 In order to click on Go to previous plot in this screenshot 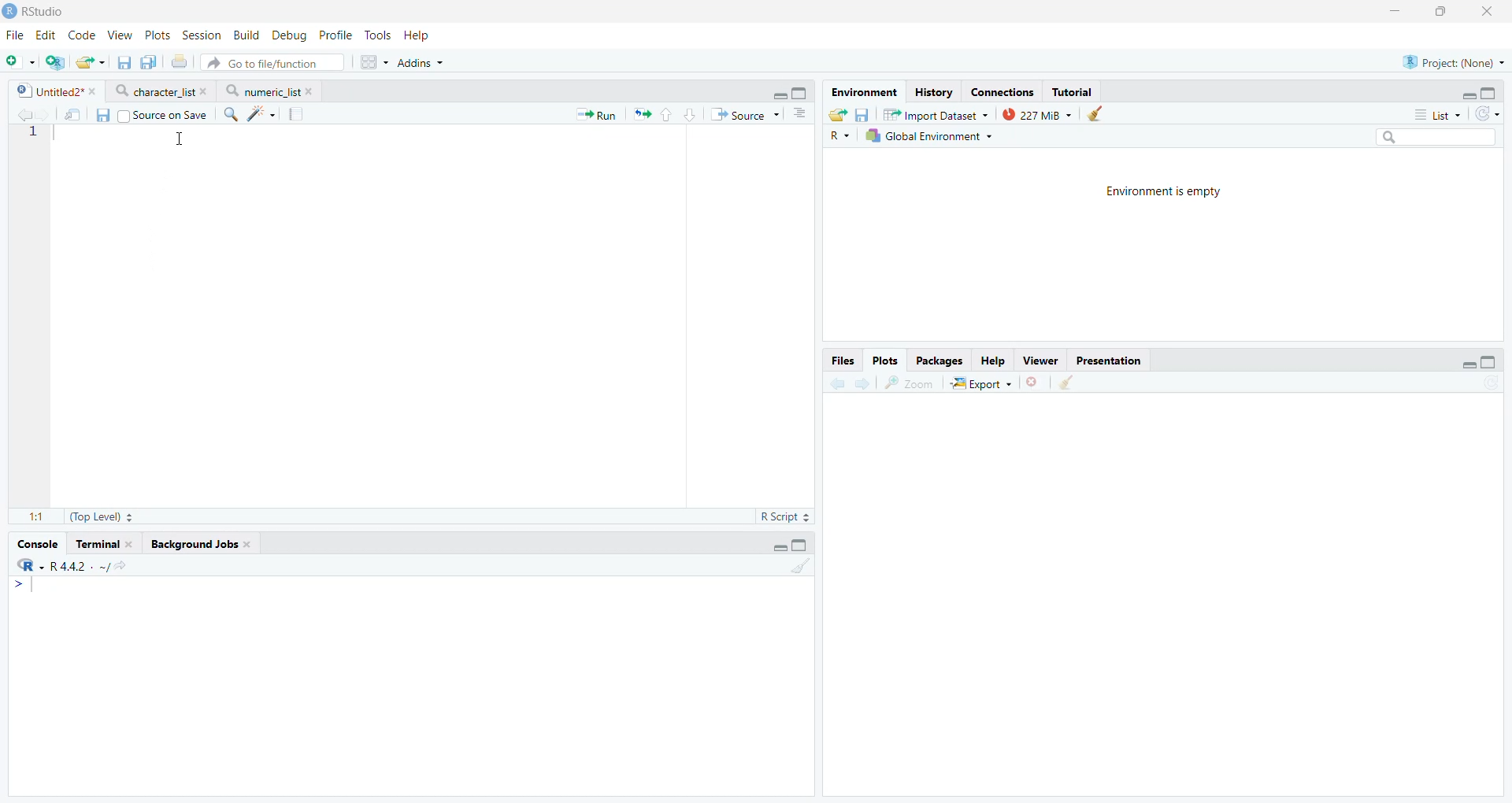, I will do `click(836, 382)`.